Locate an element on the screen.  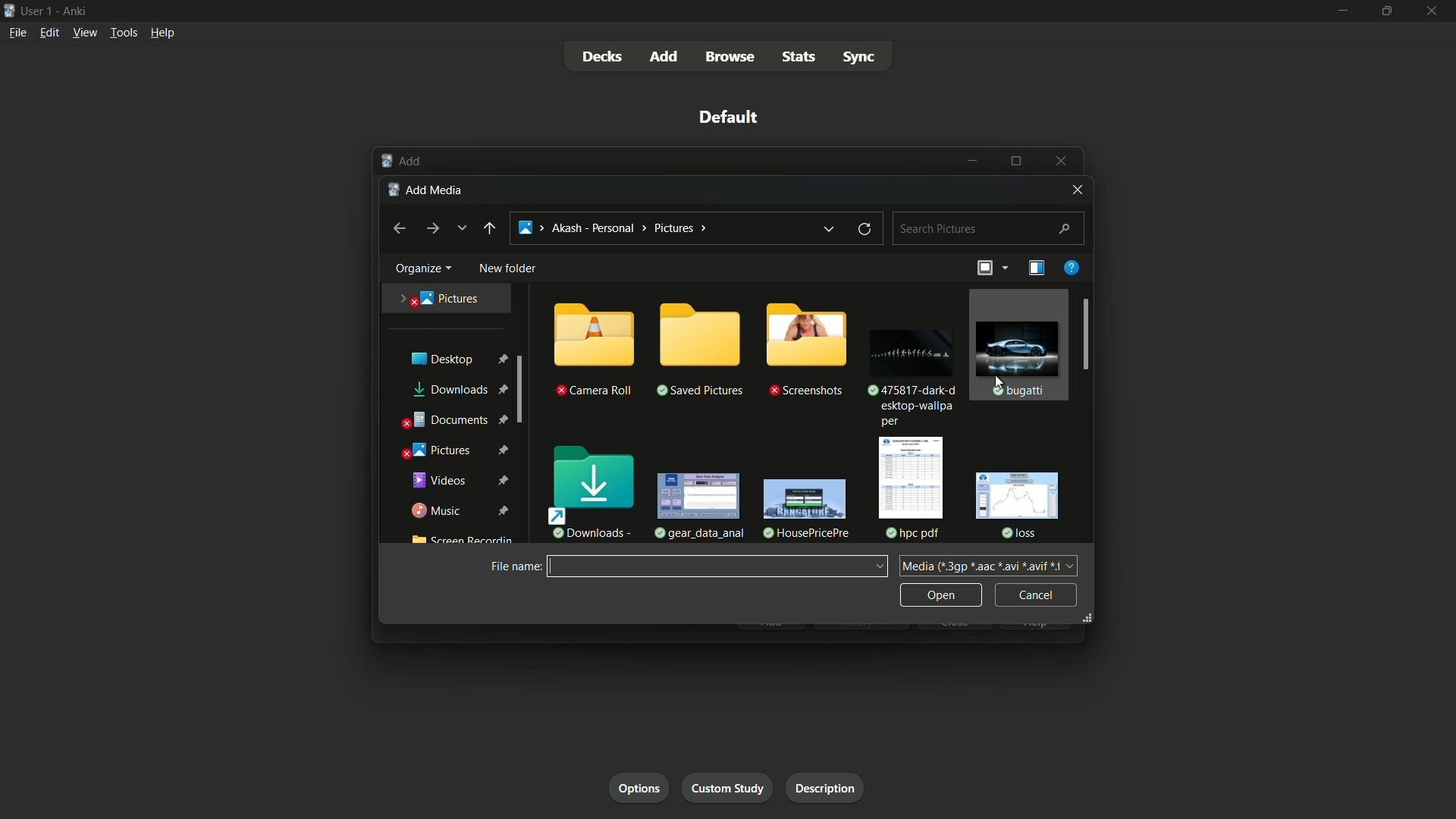
sync is located at coordinates (861, 58).